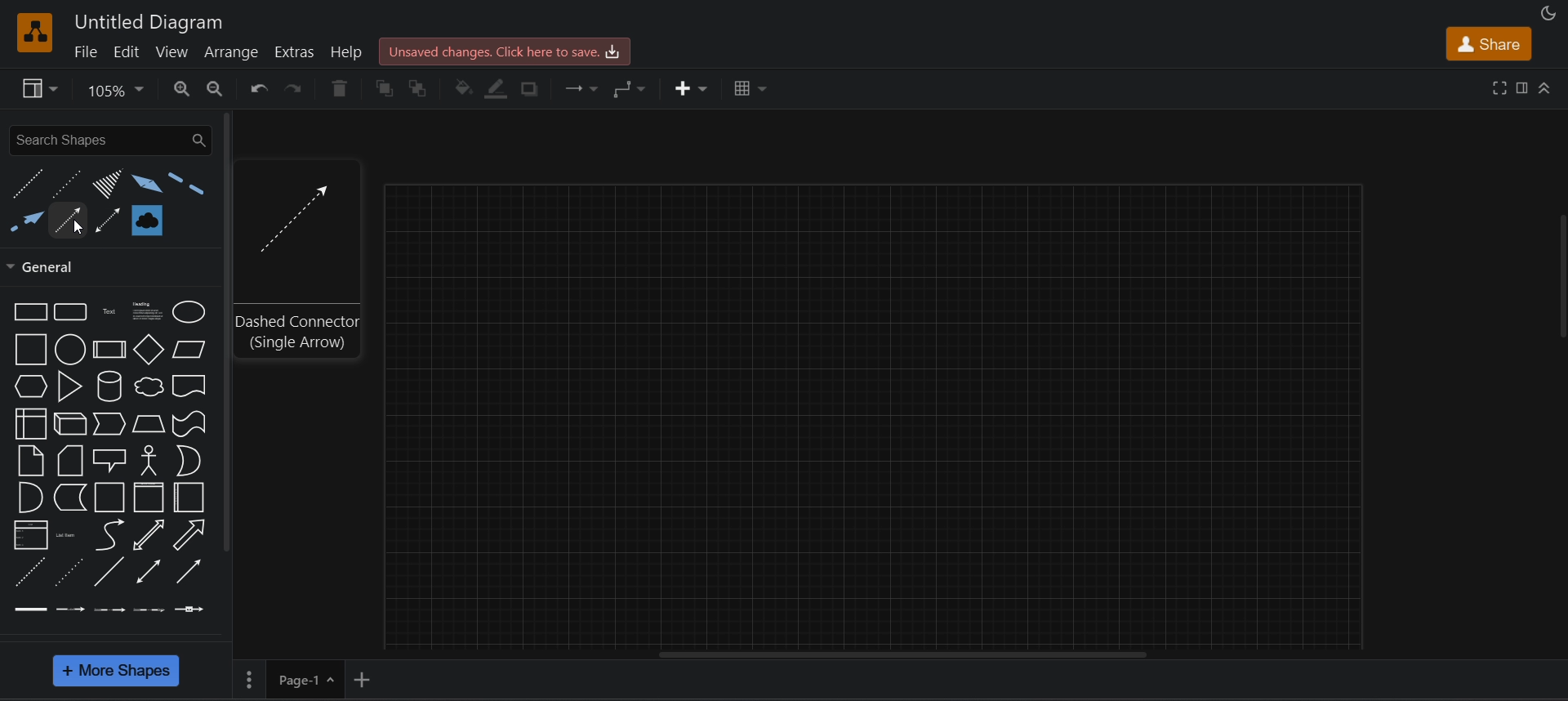 The width and height of the screenshot is (1568, 701). Describe the element at coordinates (109, 311) in the screenshot. I see `text` at that location.